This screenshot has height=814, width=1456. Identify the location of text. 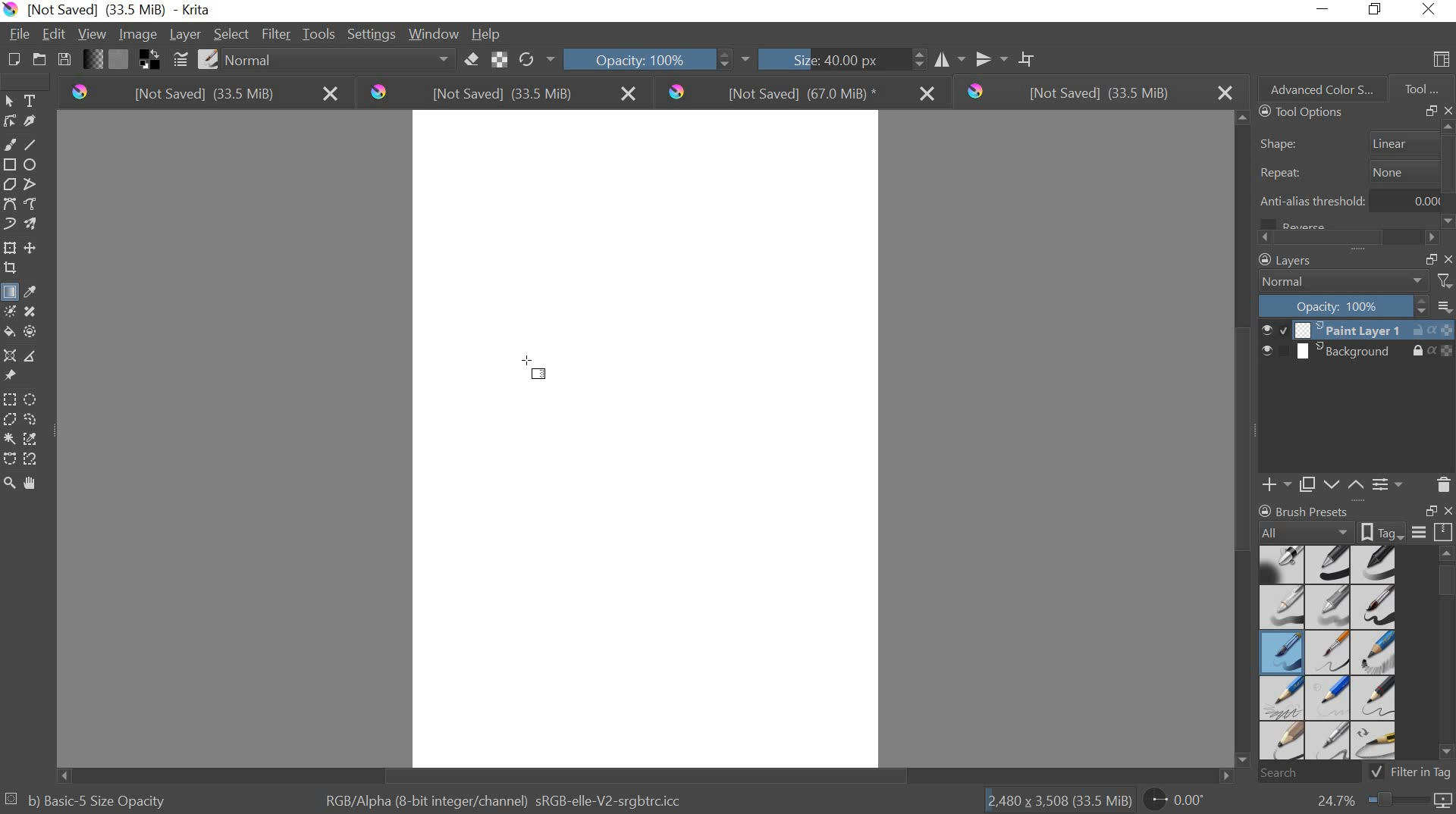
(33, 101).